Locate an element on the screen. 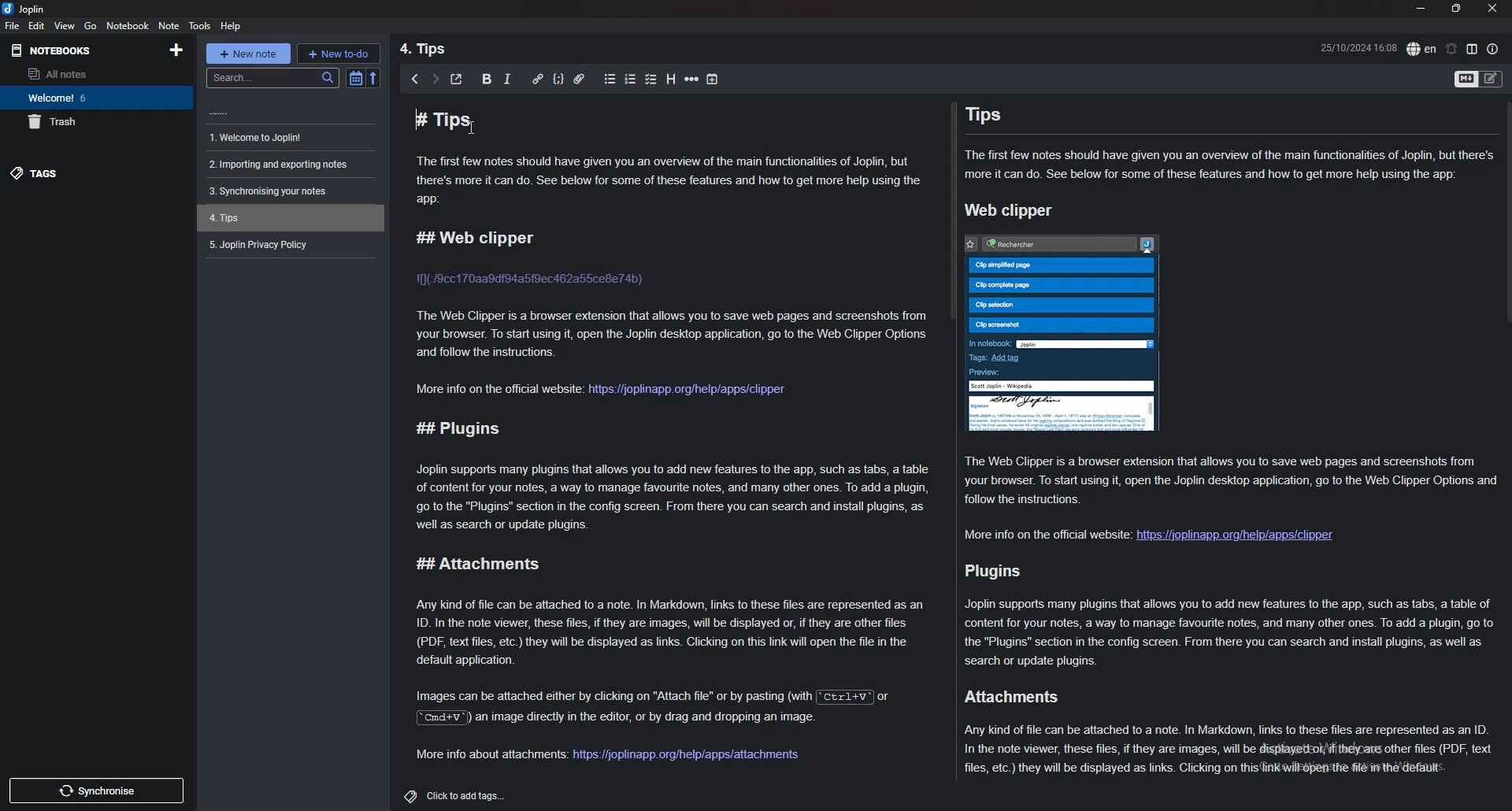 The image size is (1512, 811). table is located at coordinates (717, 78).